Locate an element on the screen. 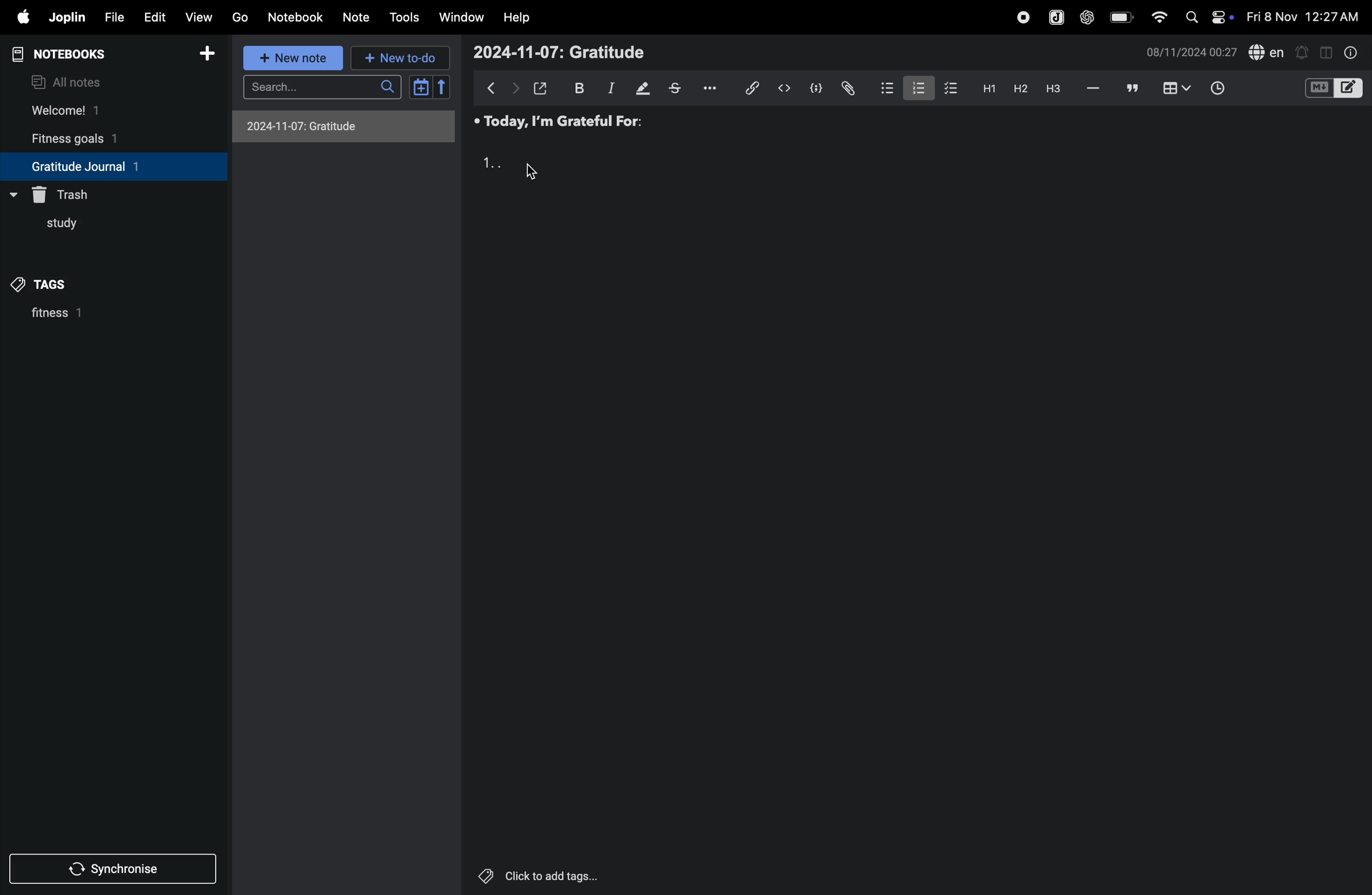  create alert is located at coordinates (1303, 54).